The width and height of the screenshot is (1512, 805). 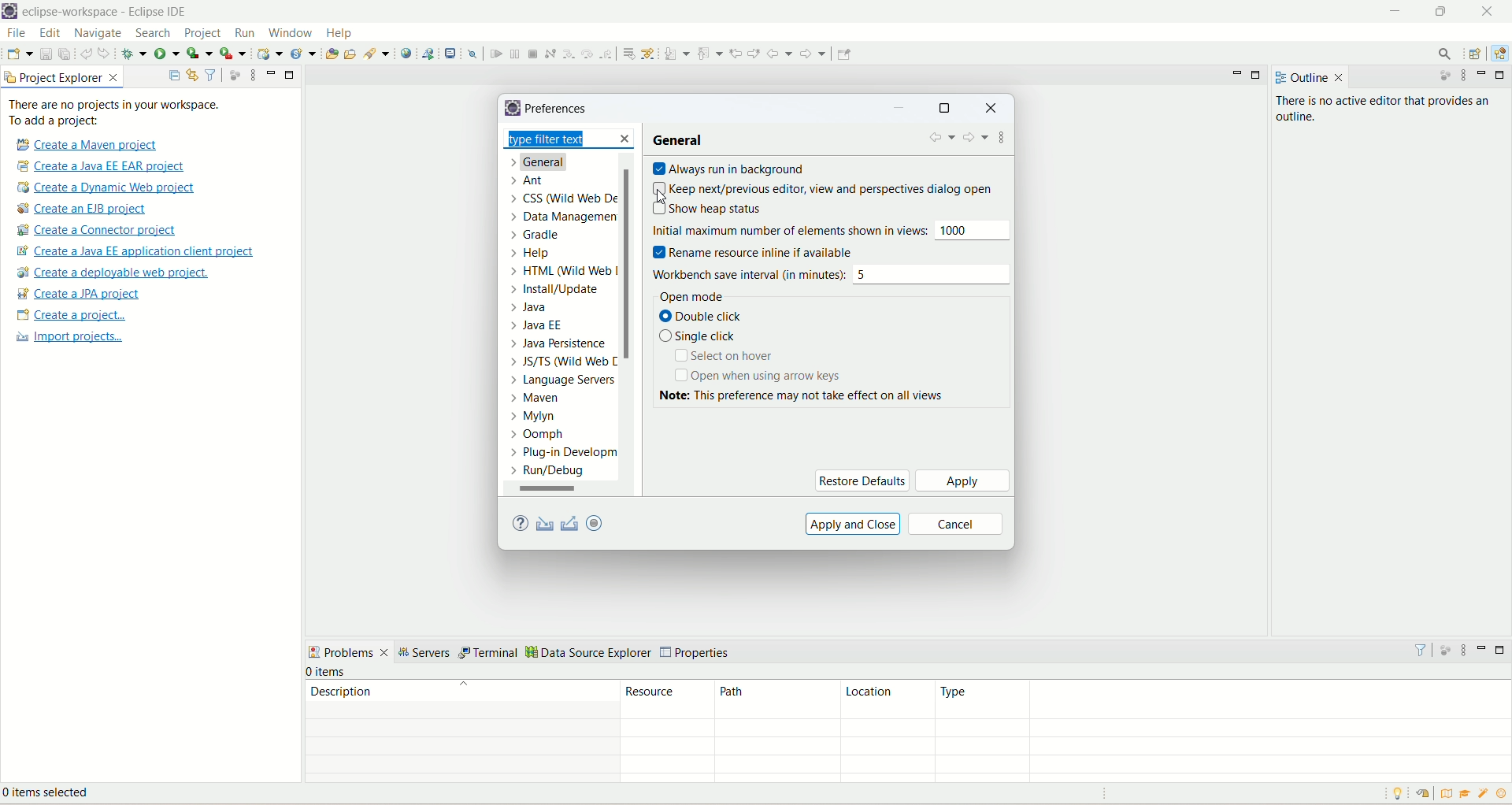 What do you see at coordinates (134, 54) in the screenshot?
I see `debug` at bounding box center [134, 54].